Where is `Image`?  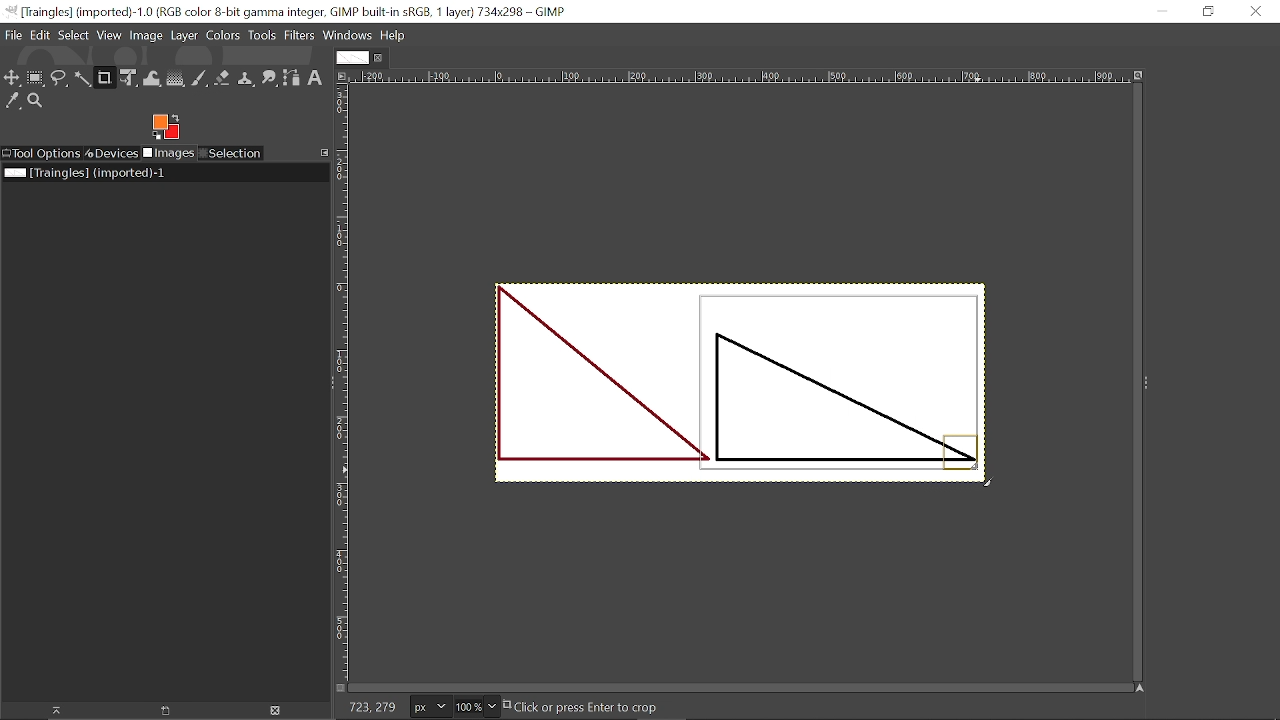 Image is located at coordinates (145, 36).